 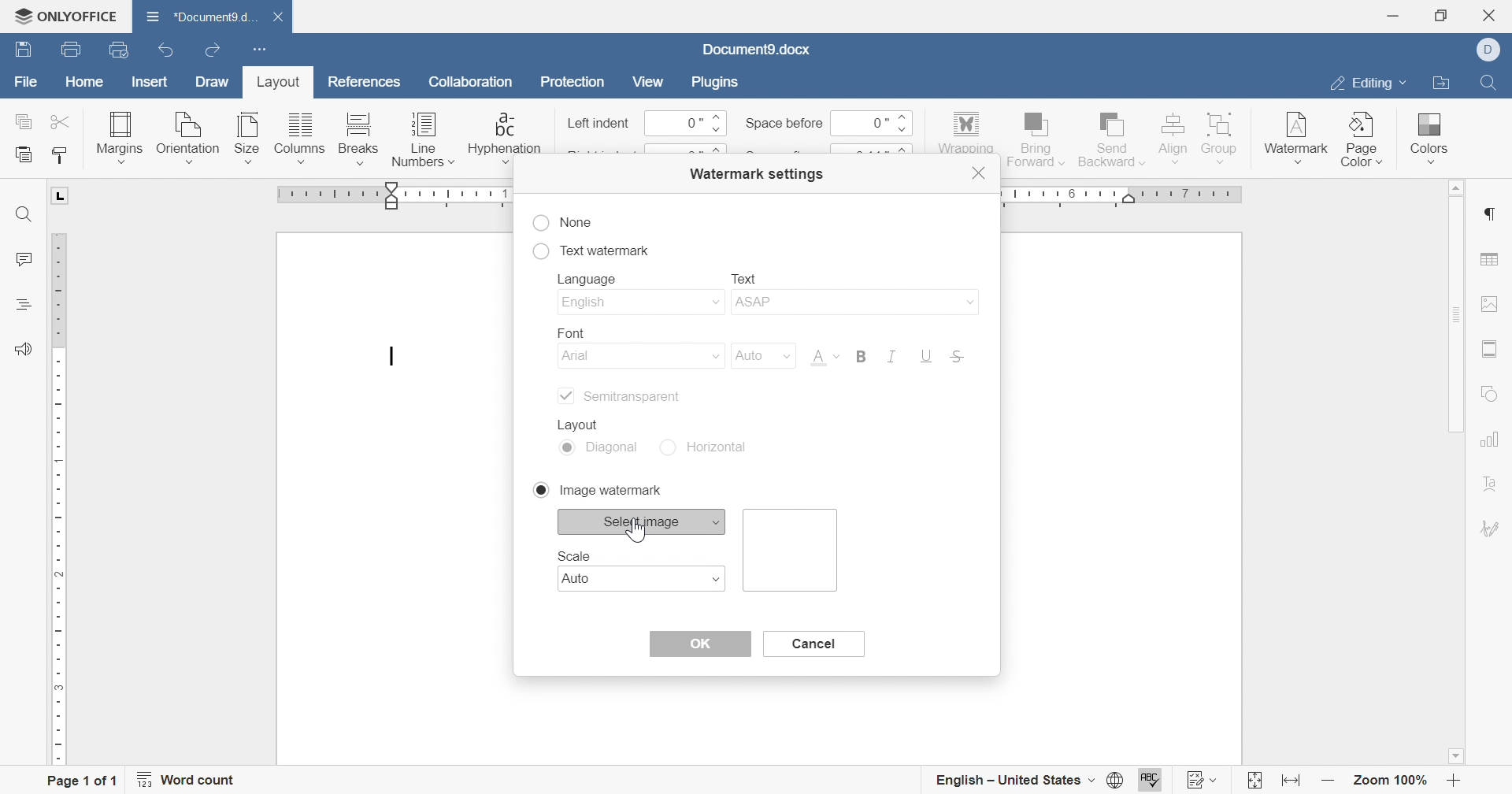 I want to click on auto, so click(x=645, y=579).